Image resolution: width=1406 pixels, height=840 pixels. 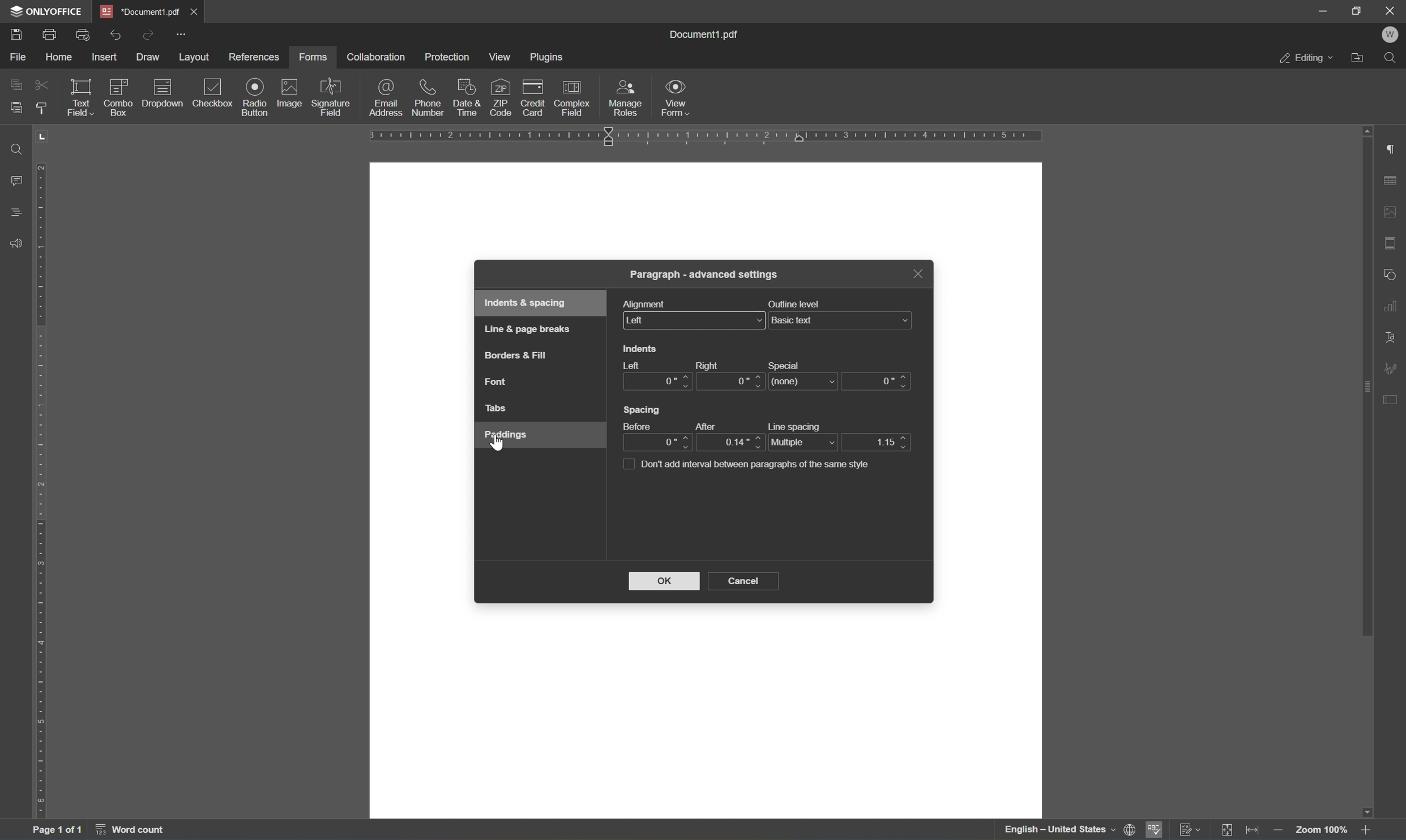 I want to click on restore down, so click(x=1358, y=11).